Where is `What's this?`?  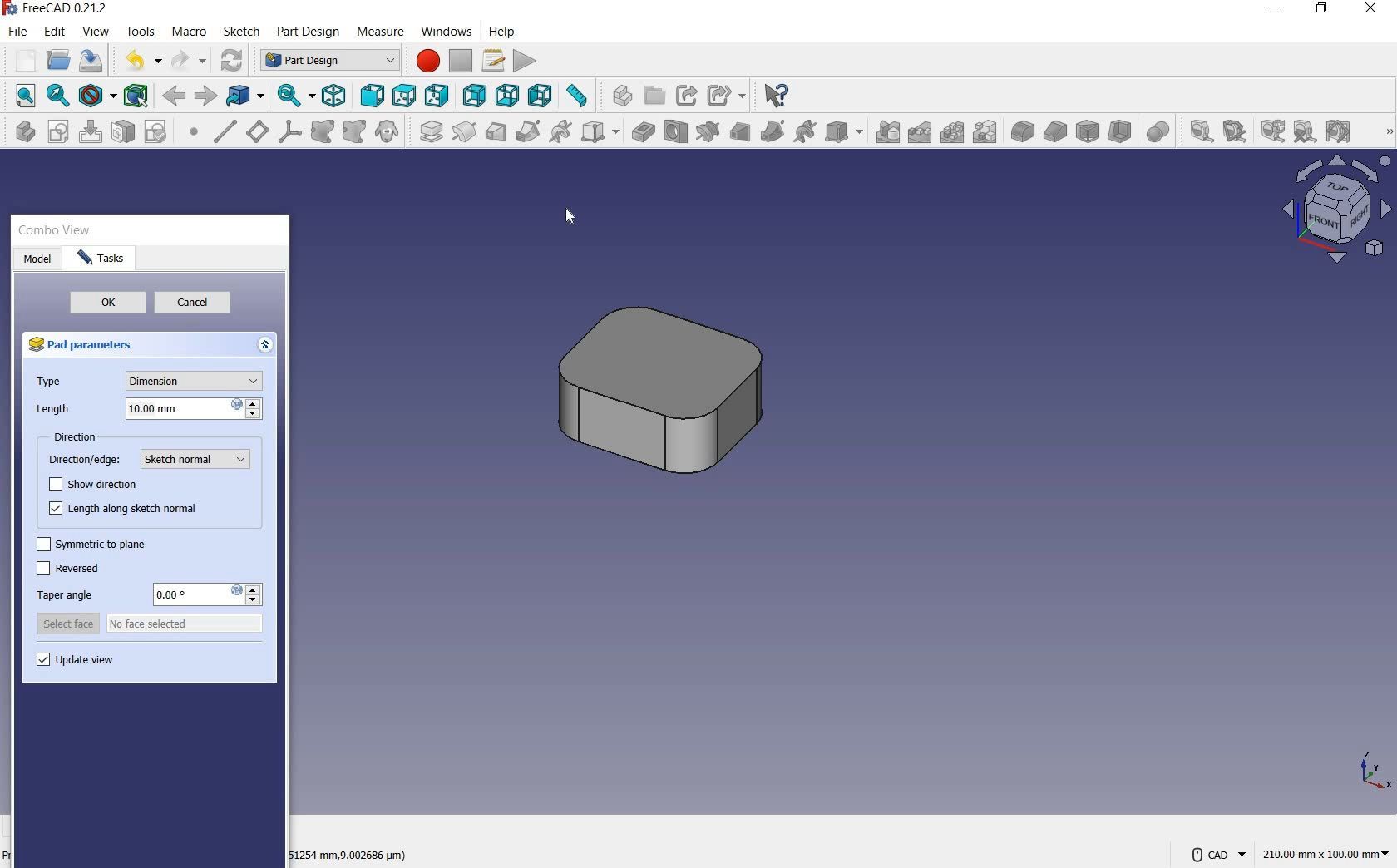 What's this? is located at coordinates (617, 96).